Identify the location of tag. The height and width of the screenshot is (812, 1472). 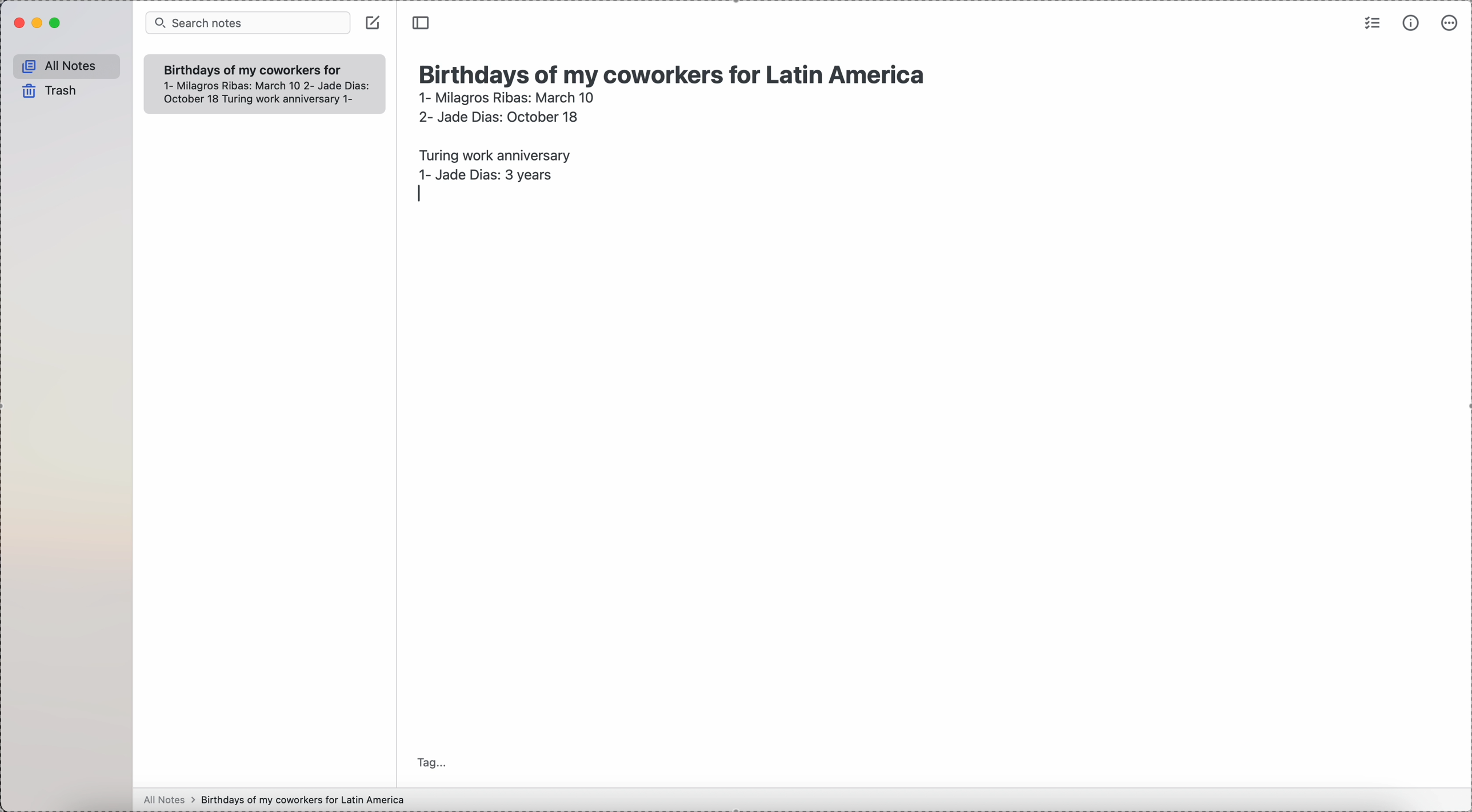
(433, 762).